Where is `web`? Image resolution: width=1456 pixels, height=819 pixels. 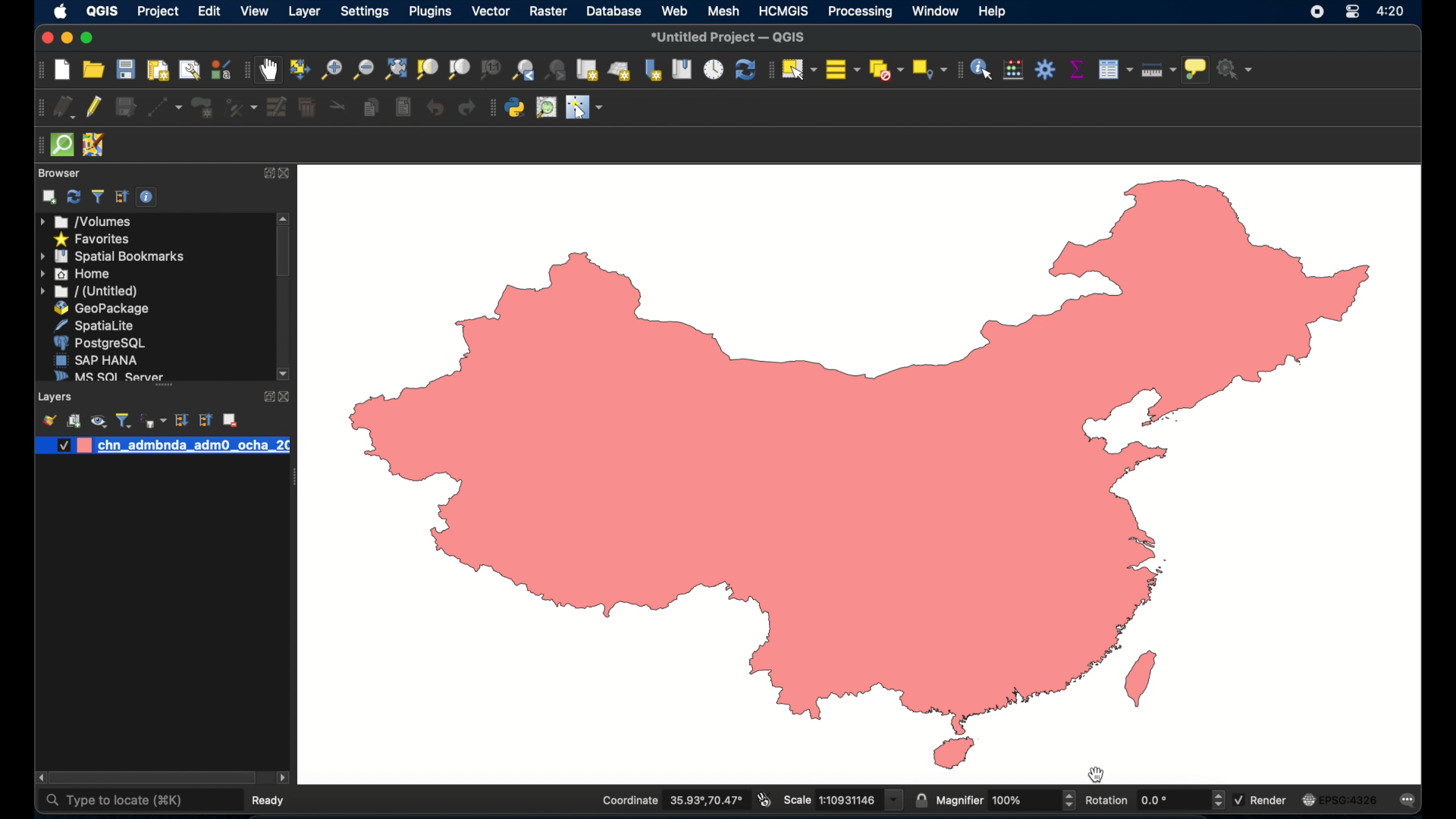 web is located at coordinates (674, 11).